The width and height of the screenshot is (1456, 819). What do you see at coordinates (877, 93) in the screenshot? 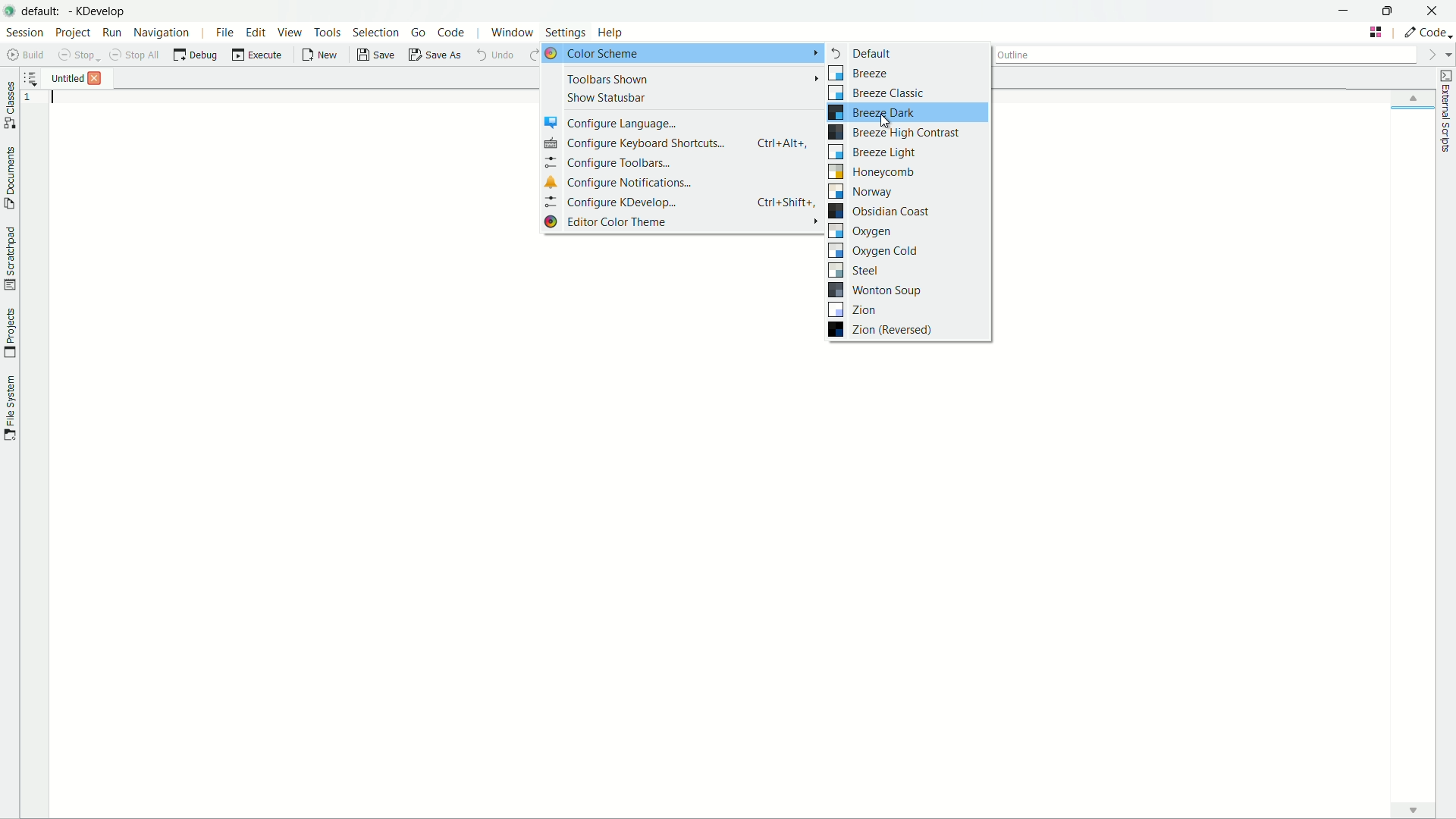
I see `breeze classic` at bounding box center [877, 93].